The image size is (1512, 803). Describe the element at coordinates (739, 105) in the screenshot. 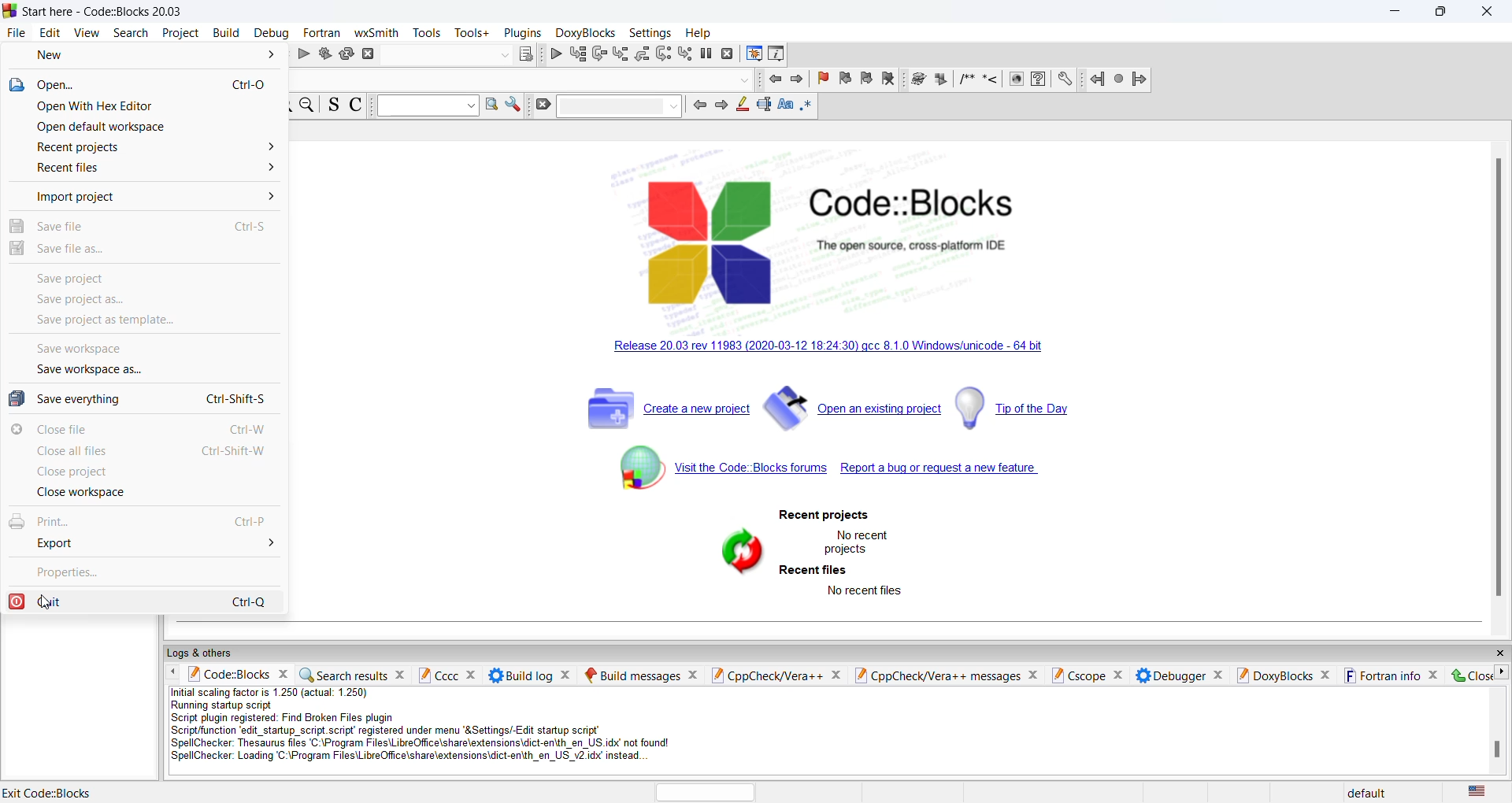

I see `highlight` at that location.